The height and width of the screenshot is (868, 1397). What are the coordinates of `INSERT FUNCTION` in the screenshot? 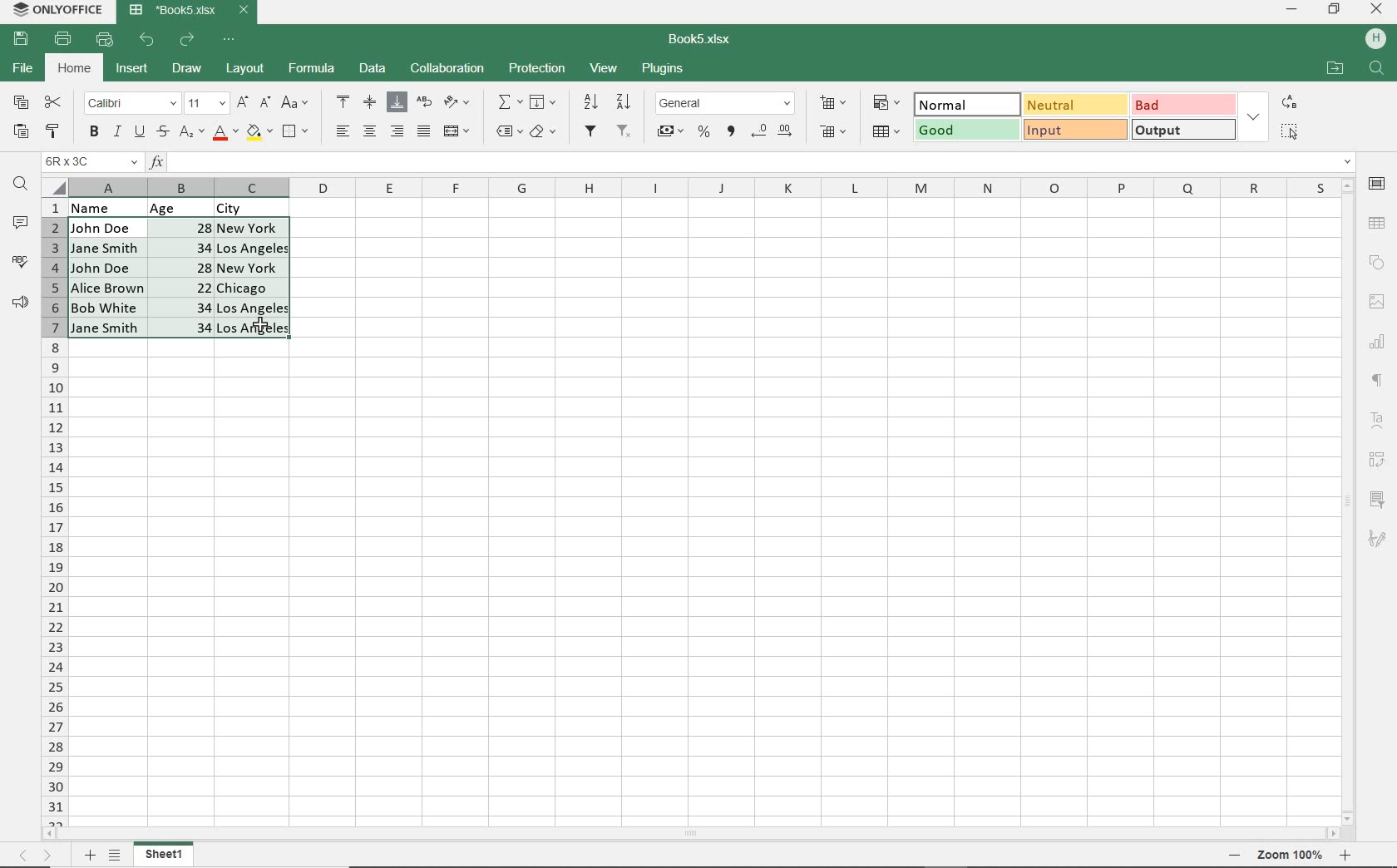 It's located at (510, 101).